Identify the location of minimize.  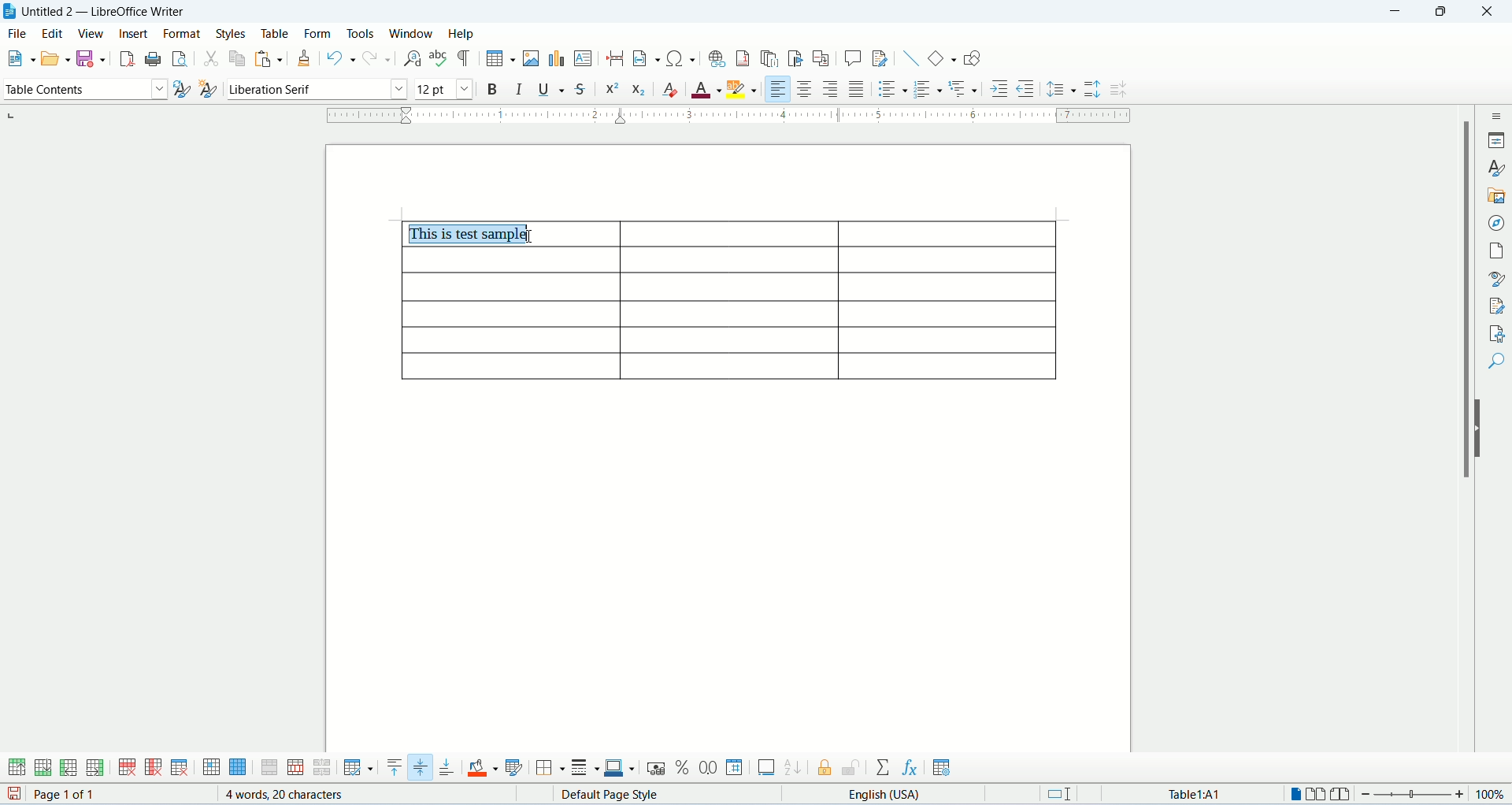
(1397, 12).